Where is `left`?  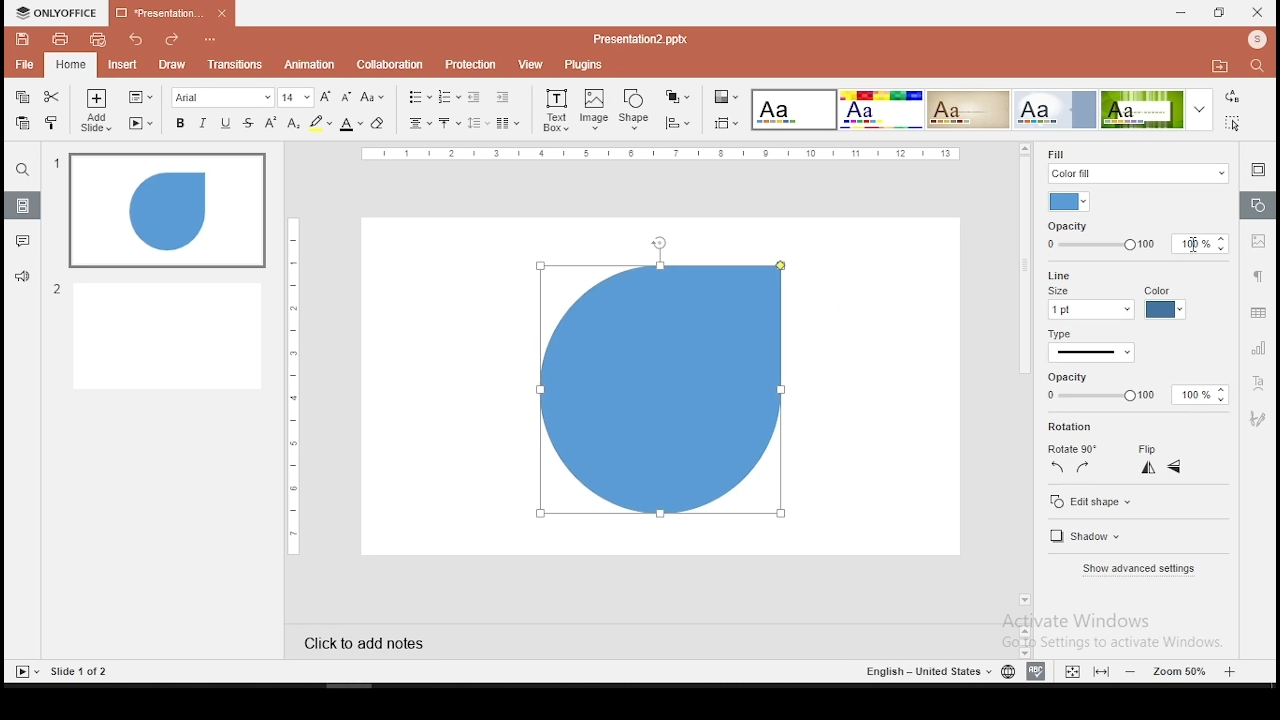
left is located at coordinates (1057, 467).